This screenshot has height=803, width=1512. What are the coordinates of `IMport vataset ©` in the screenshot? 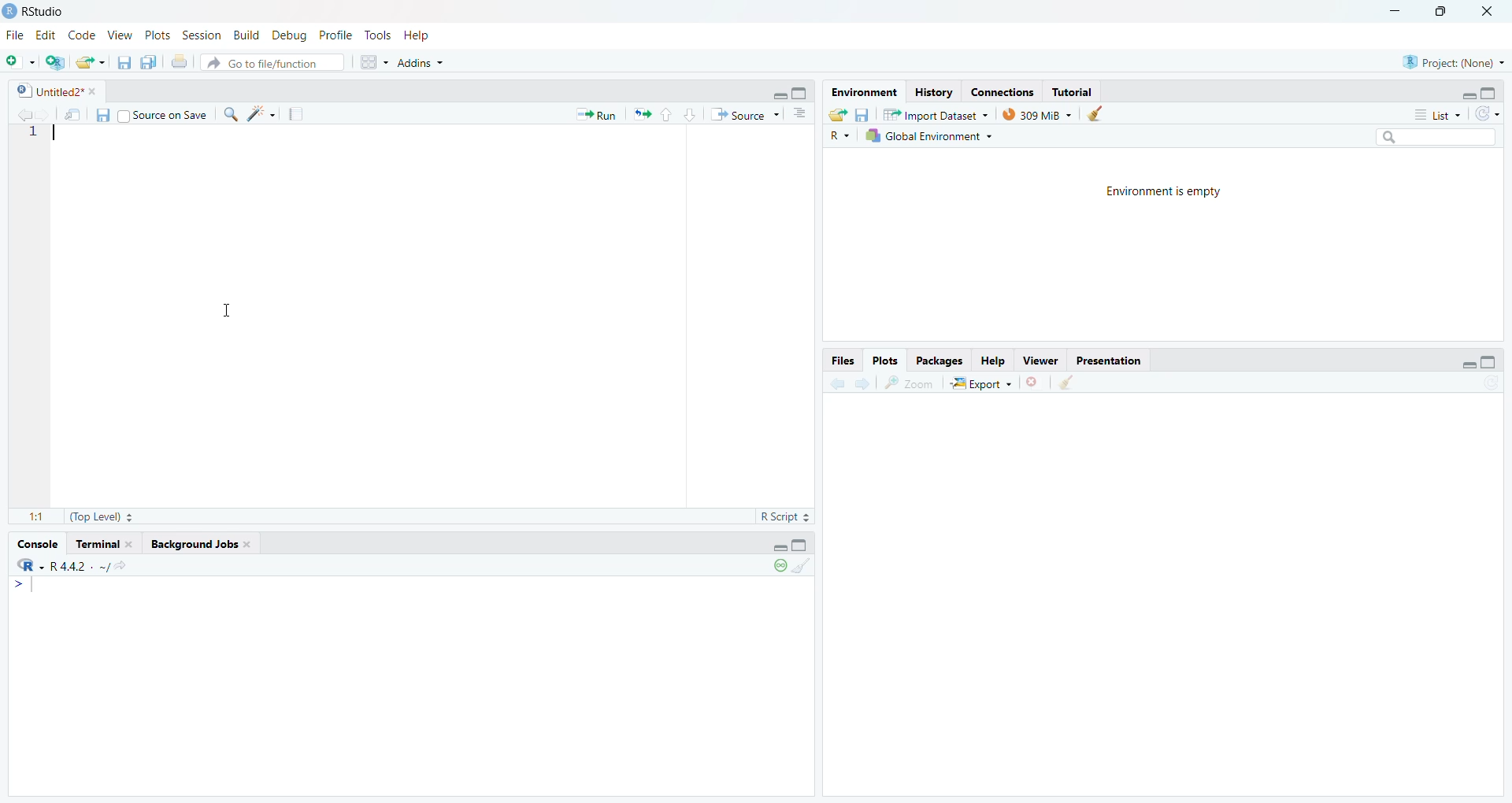 It's located at (933, 117).